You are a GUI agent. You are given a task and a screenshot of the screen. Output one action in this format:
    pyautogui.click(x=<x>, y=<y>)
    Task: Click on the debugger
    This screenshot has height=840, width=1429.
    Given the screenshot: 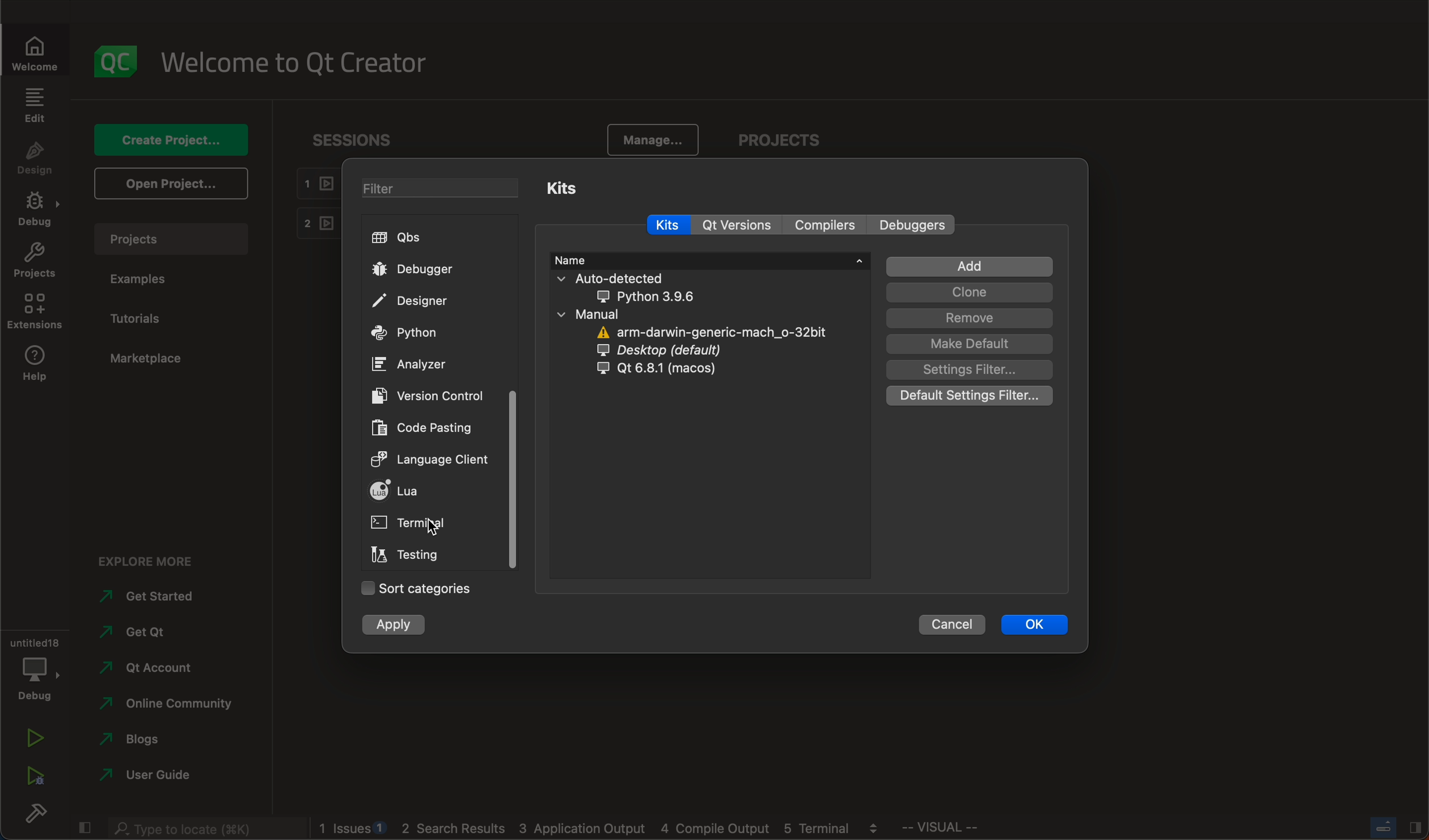 What is the action you would take?
    pyautogui.click(x=424, y=269)
    